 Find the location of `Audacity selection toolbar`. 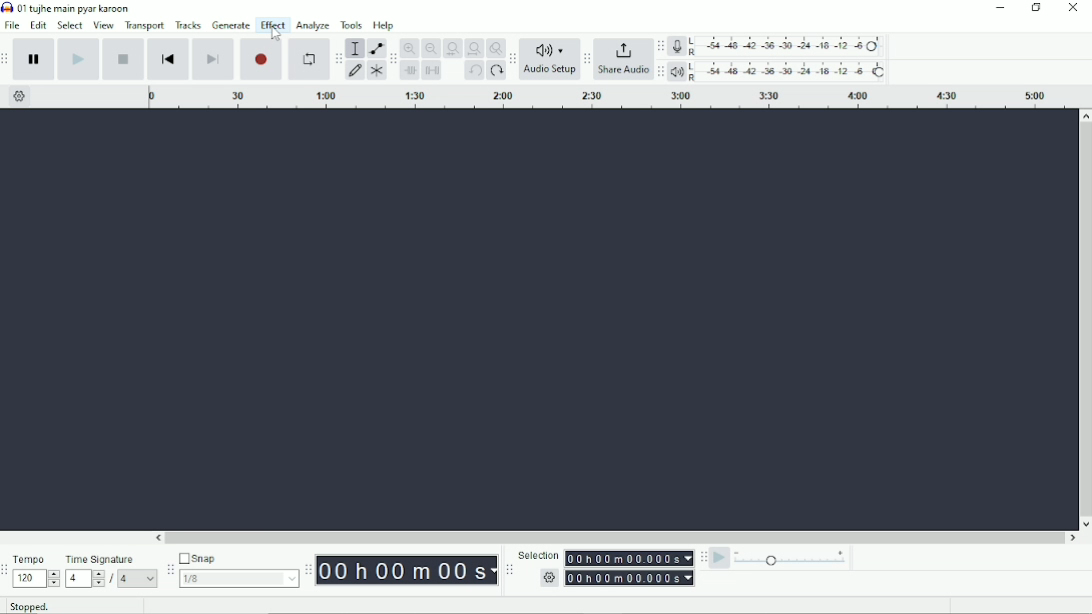

Audacity selection toolbar is located at coordinates (508, 568).